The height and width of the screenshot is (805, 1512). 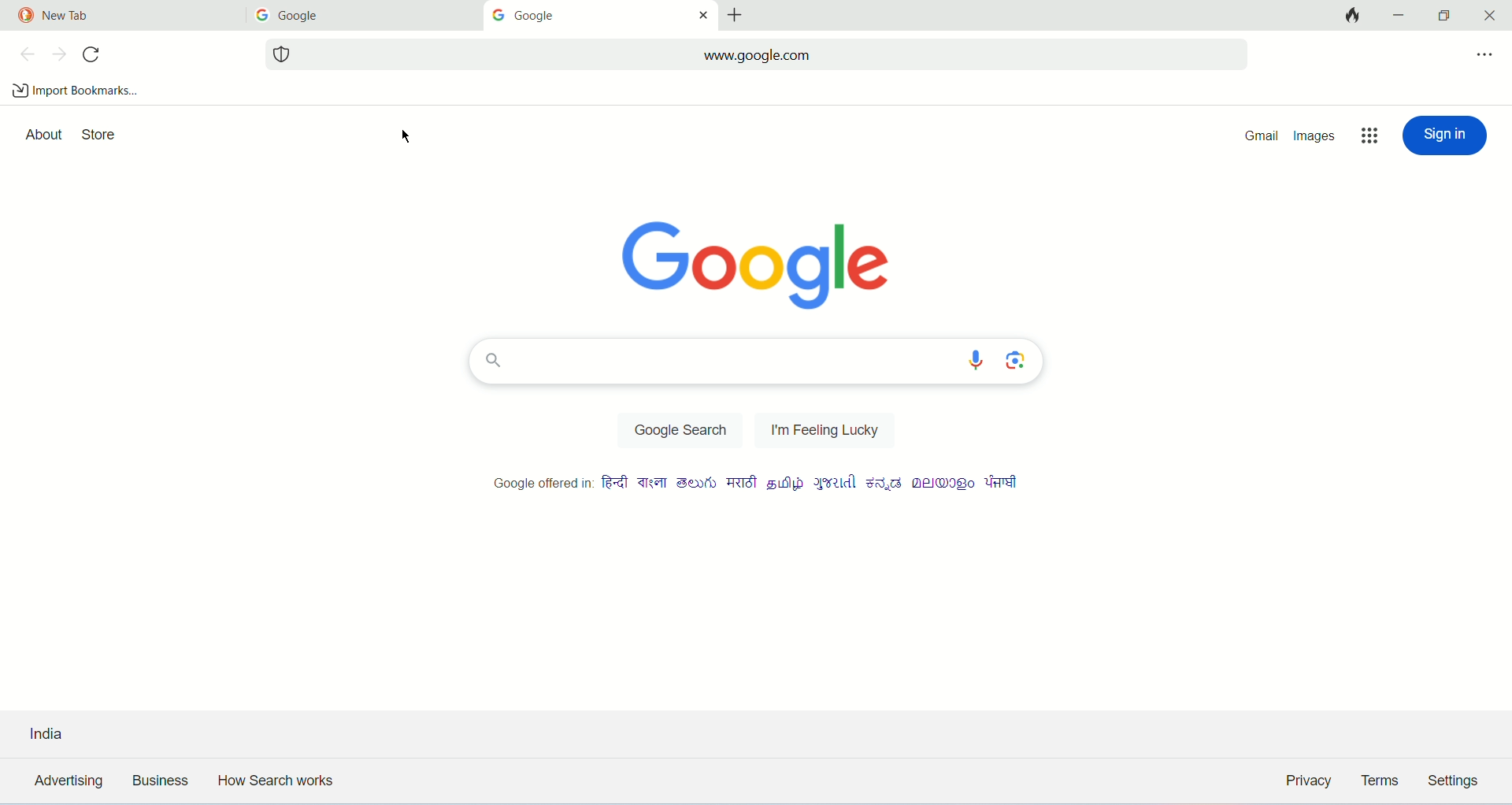 What do you see at coordinates (1317, 135) in the screenshot?
I see `images` at bounding box center [1317, 135].